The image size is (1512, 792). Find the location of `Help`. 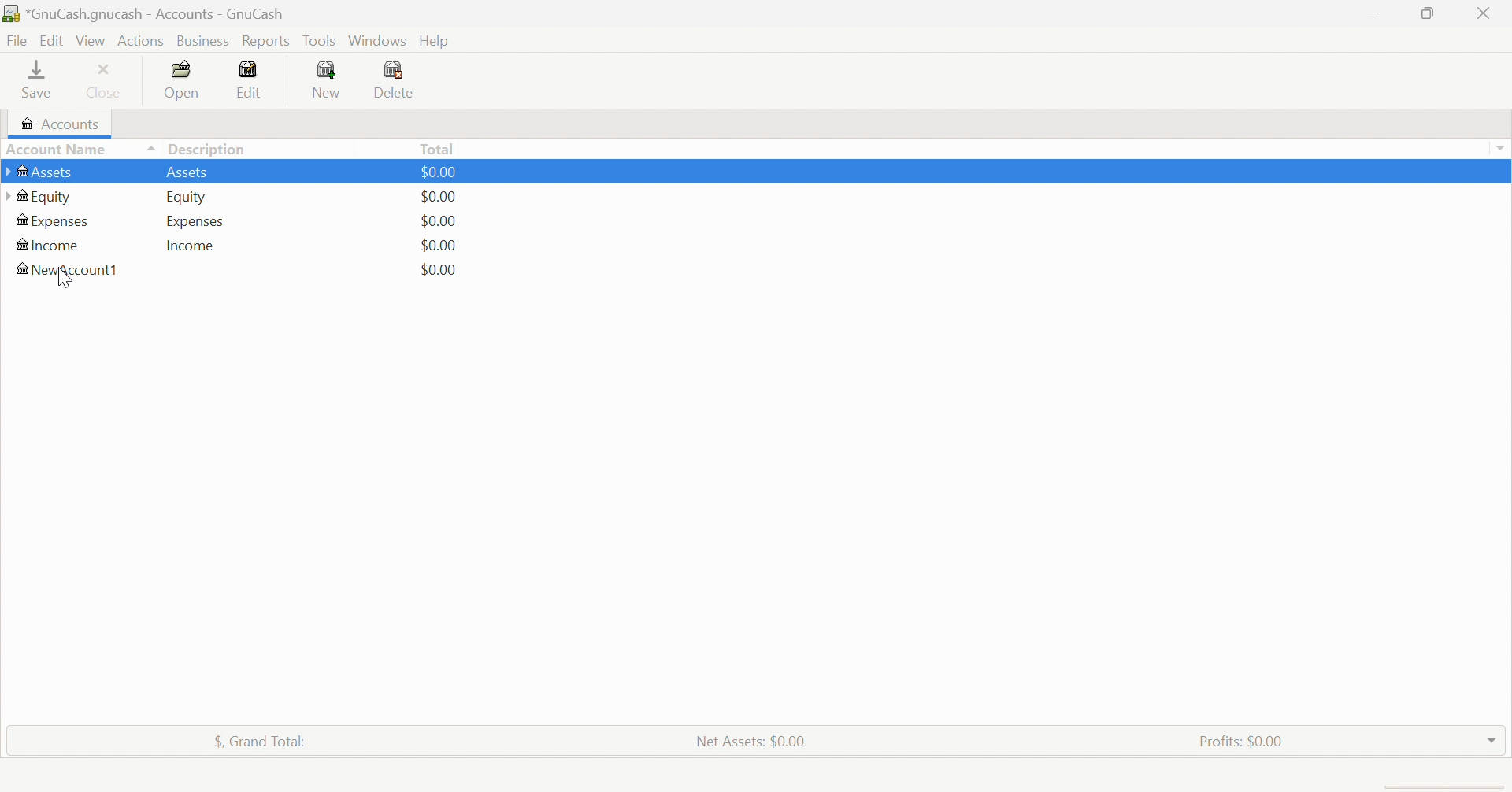

Help is located at coordinates (437, 40).